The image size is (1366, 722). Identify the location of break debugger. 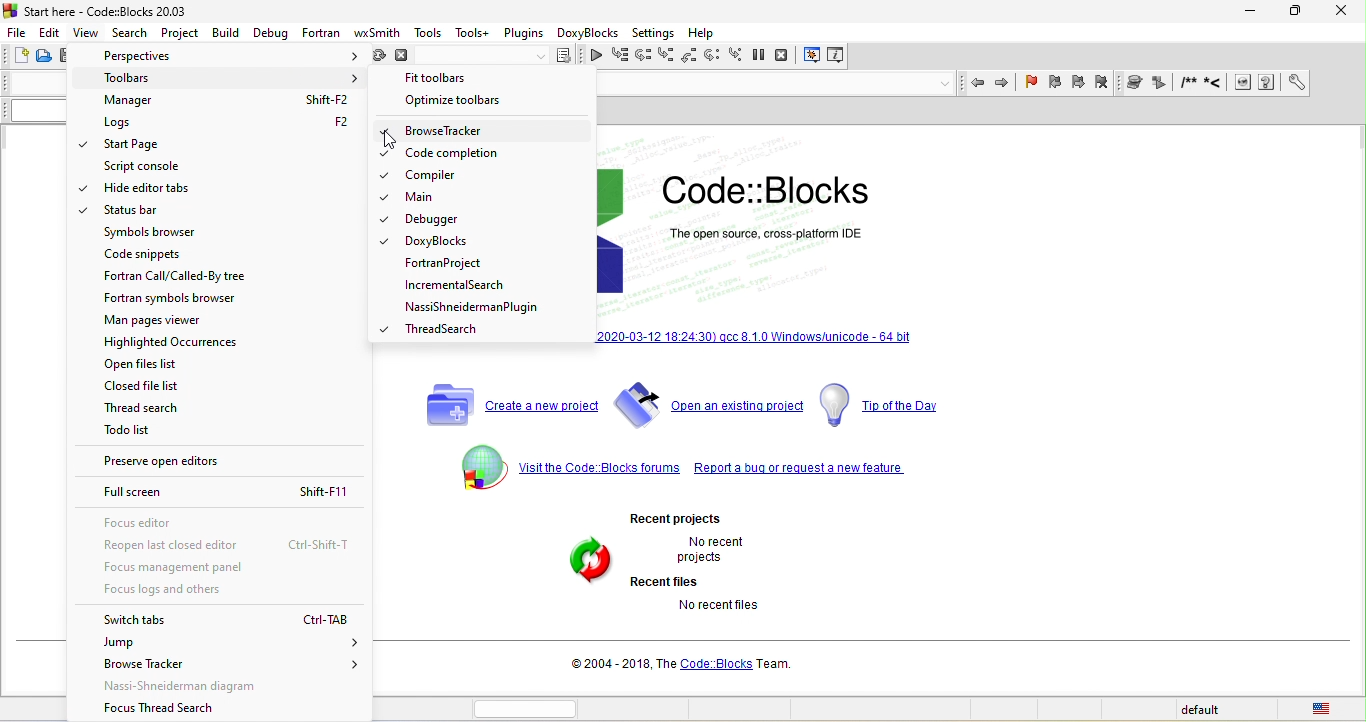
(759, 56).